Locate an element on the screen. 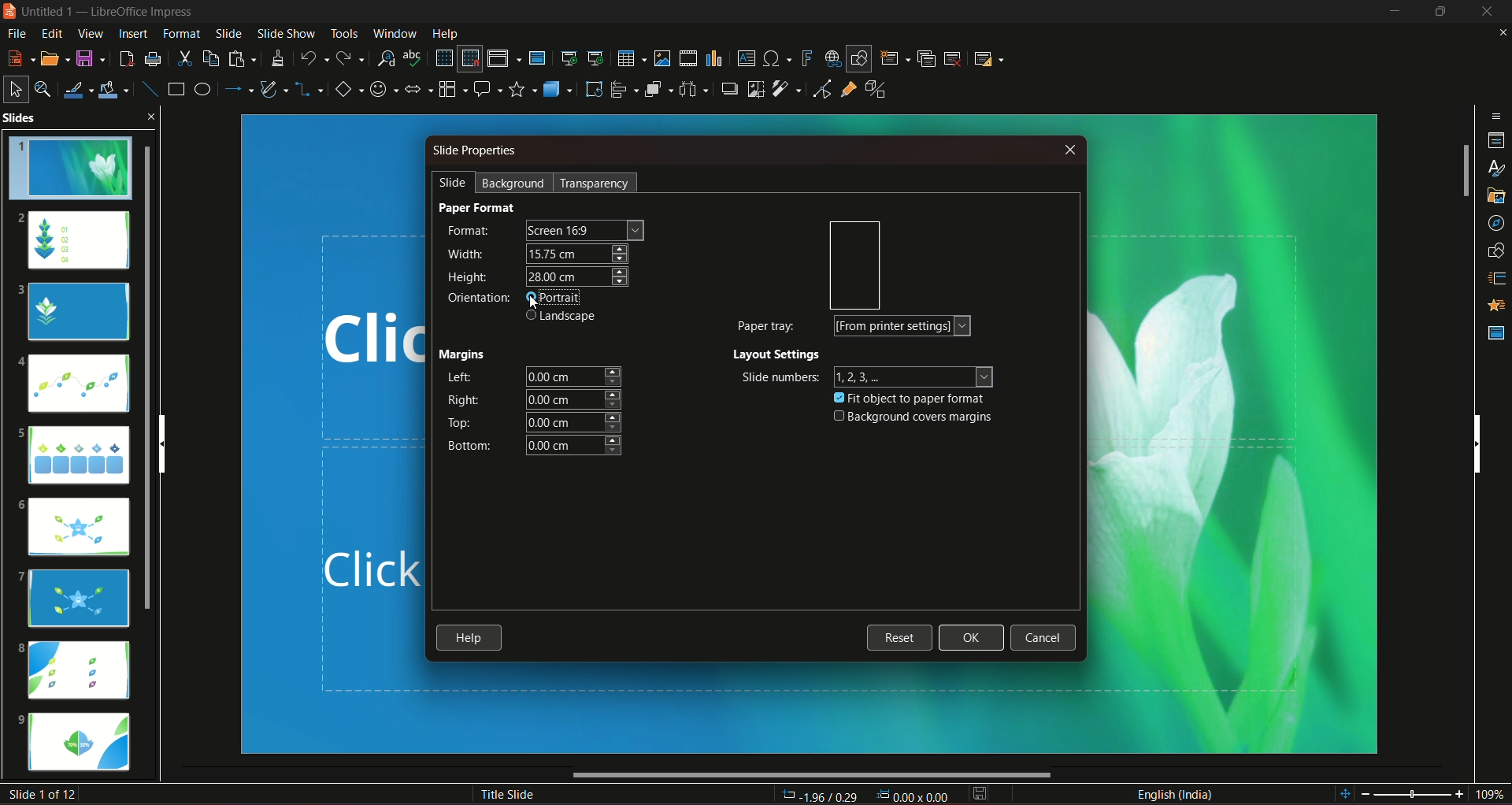 The height and width of the screenshot is (805, 1512). width is located at coordinates (466, 252).